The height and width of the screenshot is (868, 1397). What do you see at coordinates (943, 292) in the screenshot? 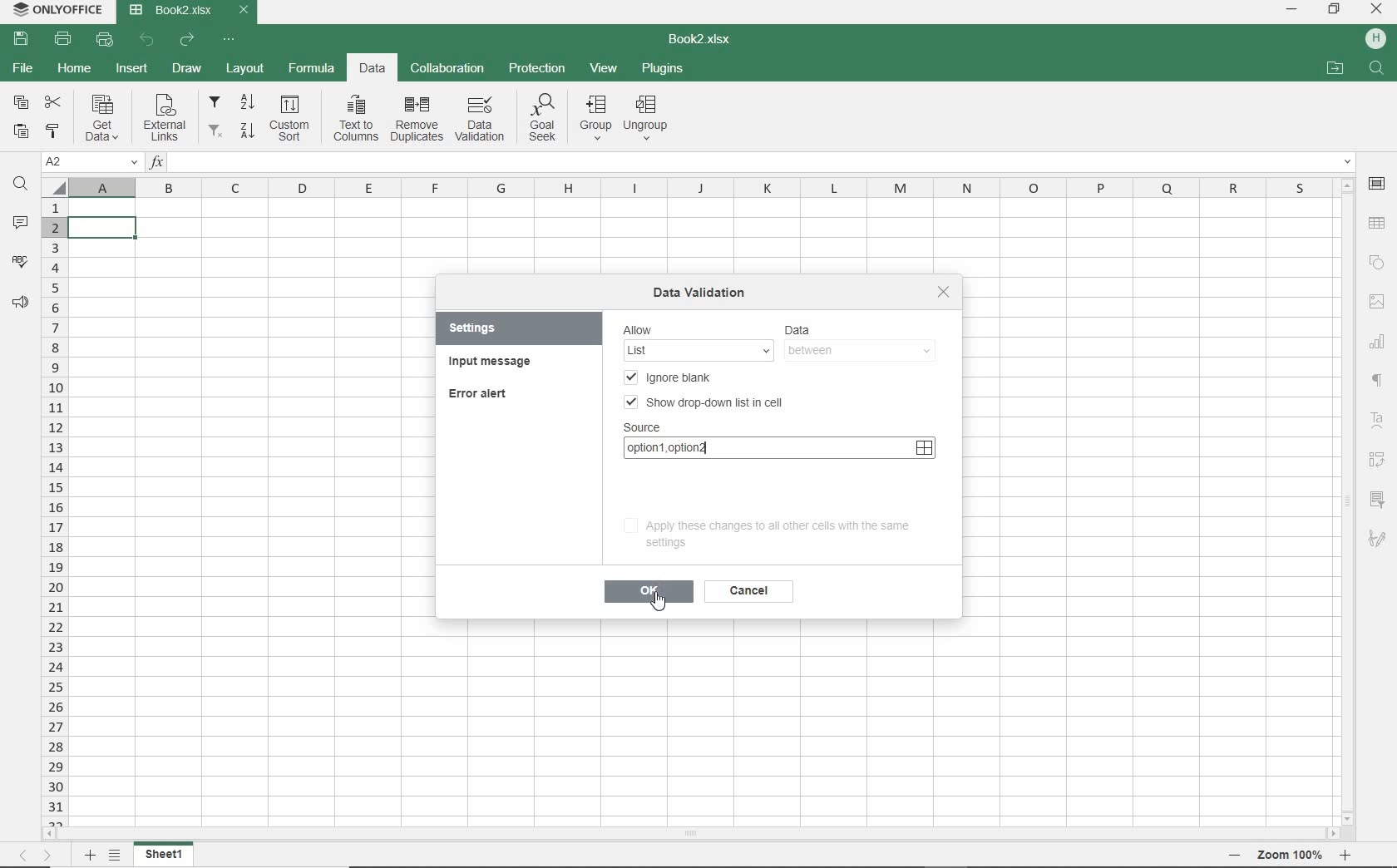
I see `close` at bounding box center [943, 292].